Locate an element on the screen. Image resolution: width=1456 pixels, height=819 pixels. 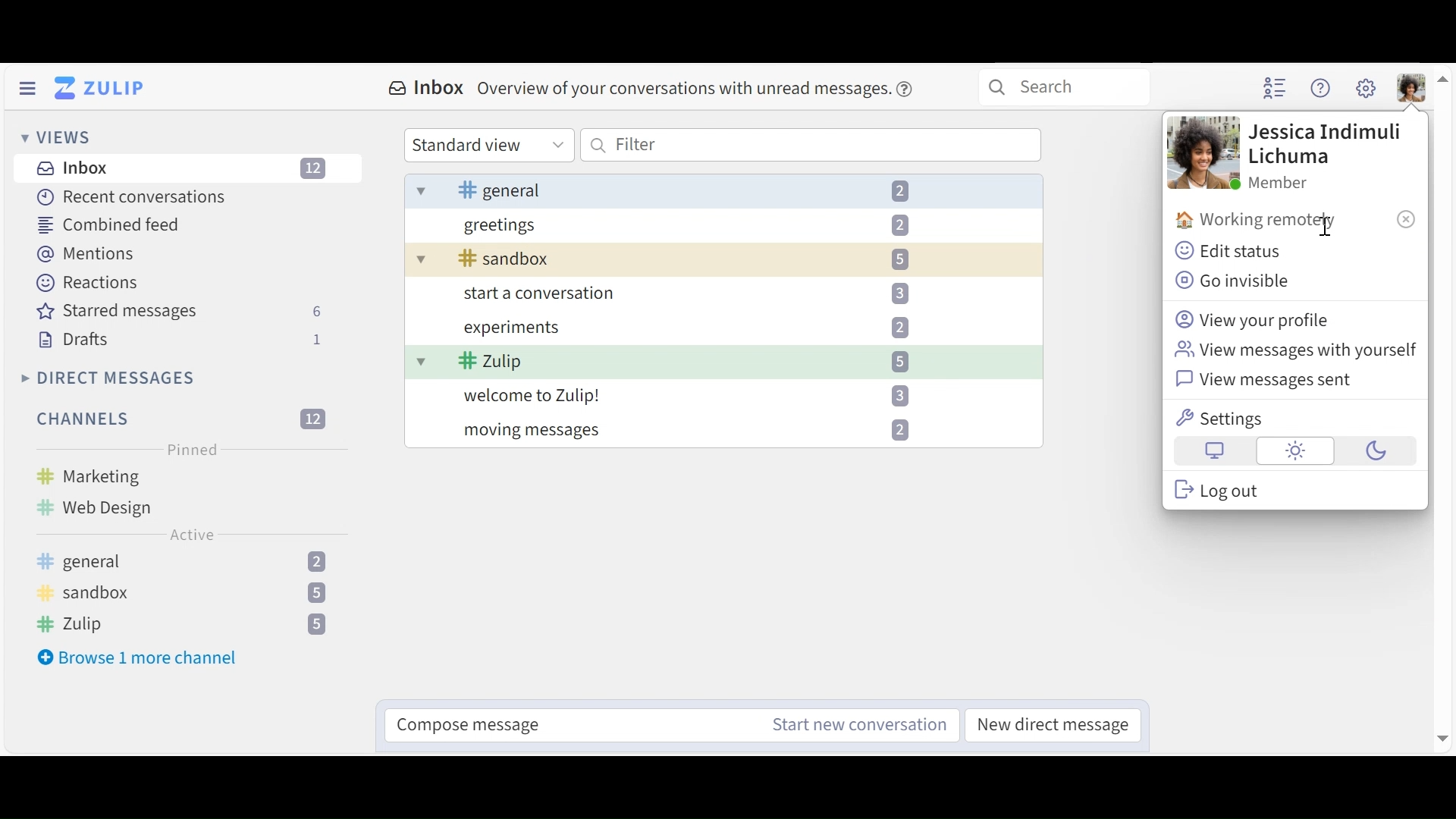
Help menu is located at coordinates (1321, 88).